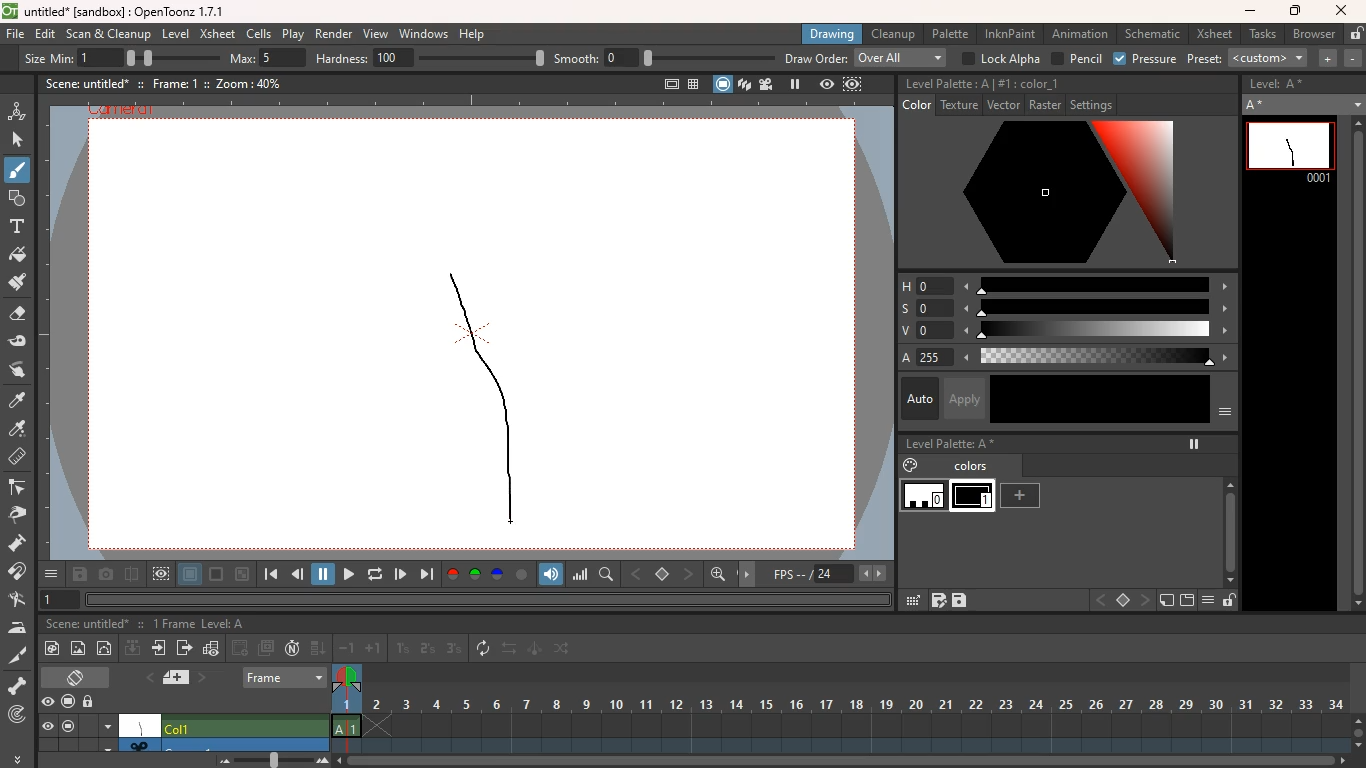  Describe the element at coordinates (67, 699) in the screenshot. I see `screen` at that location.